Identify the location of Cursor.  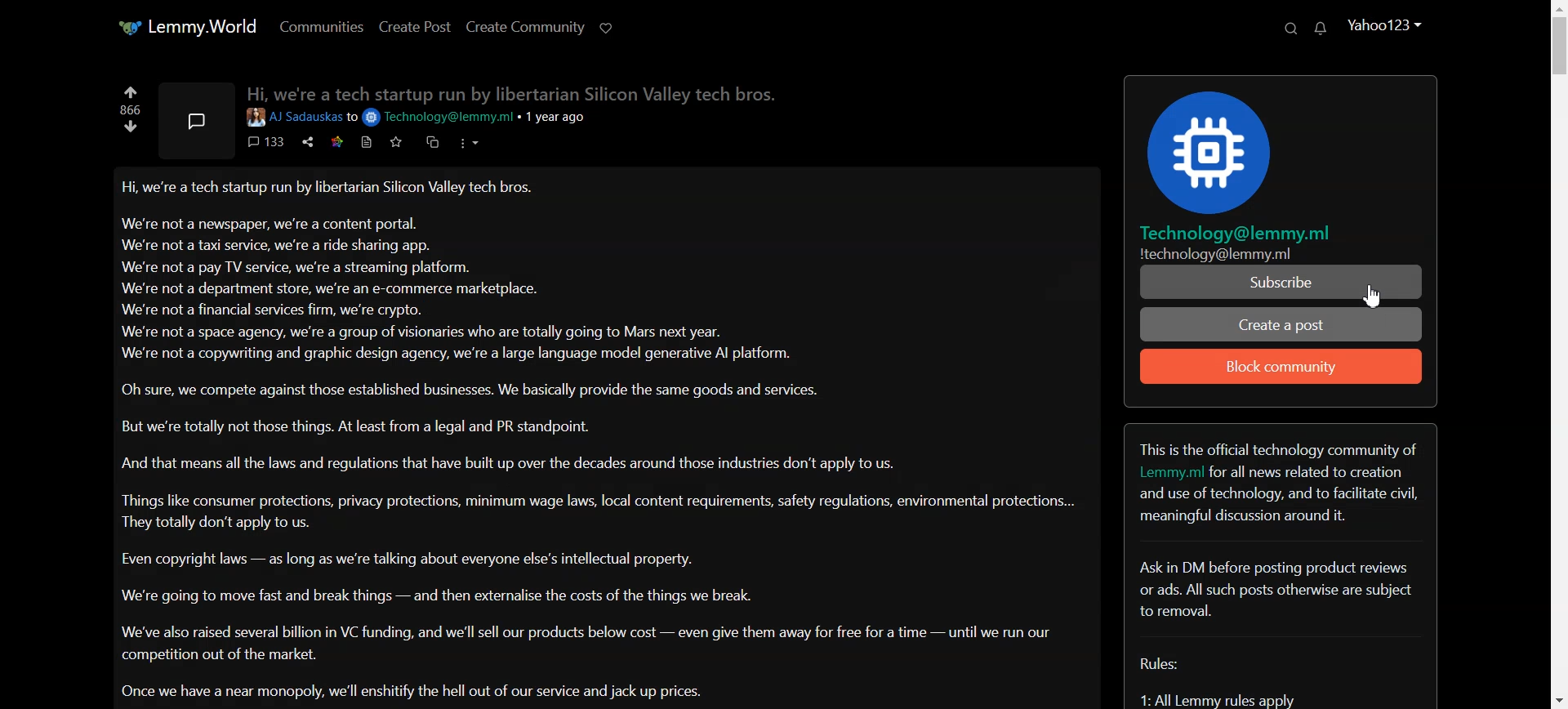
(1374, 298).